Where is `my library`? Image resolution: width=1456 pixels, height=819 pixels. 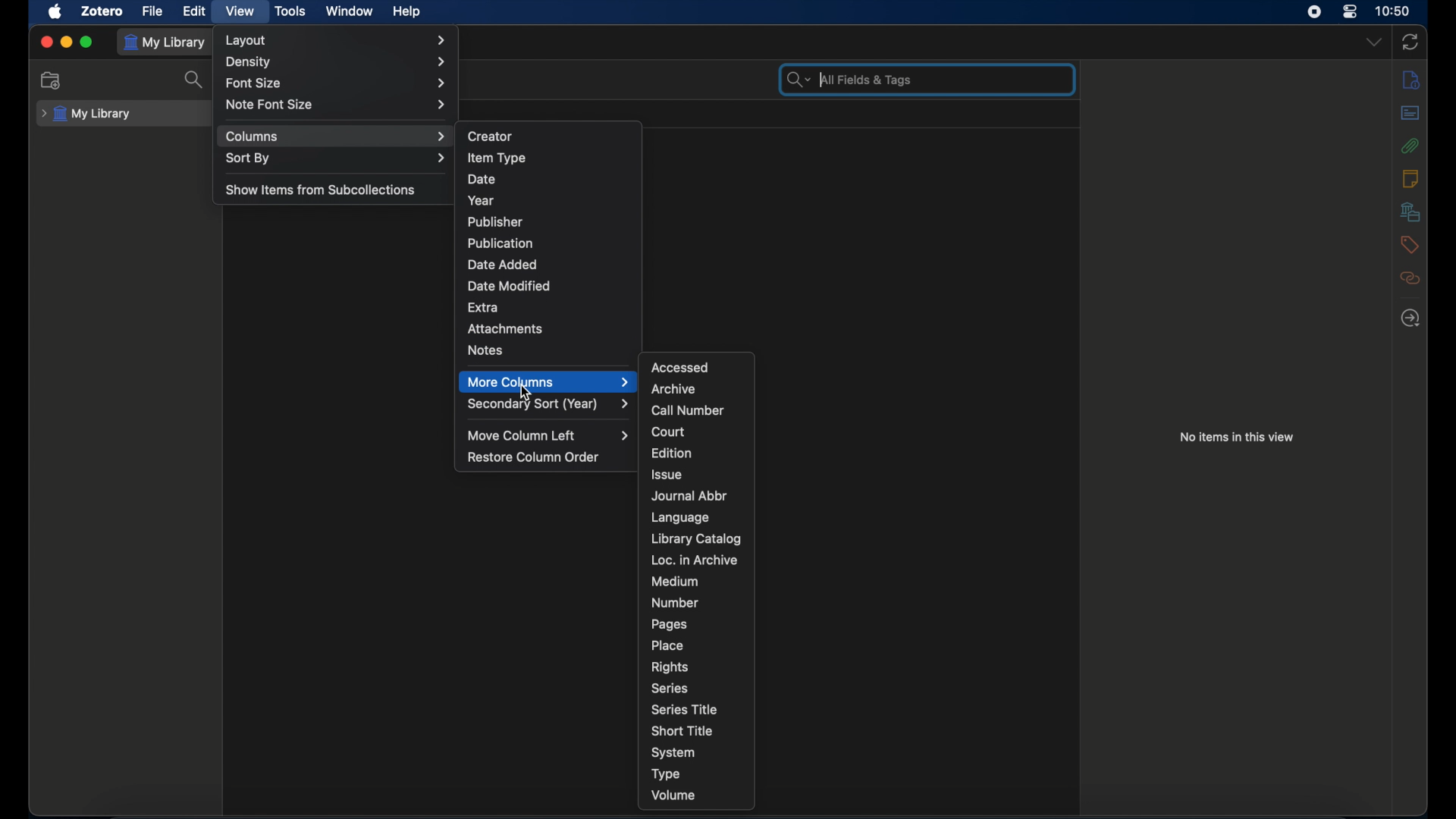
my library is located at coordinates (86, 114).